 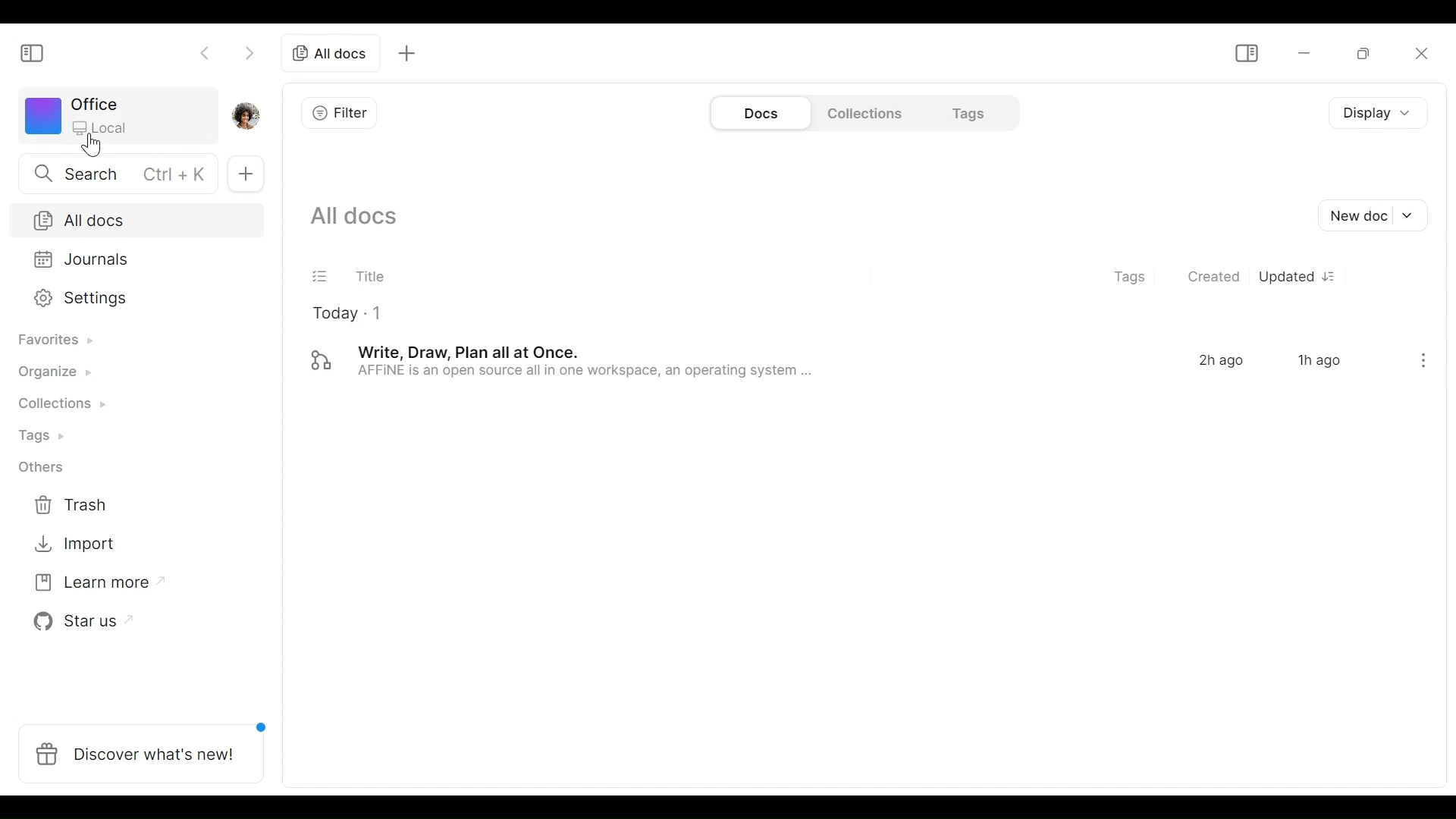 What do you see at coordinates (333, 315) in the screenshot?
I see `Today` at bounding box center [333, 315].